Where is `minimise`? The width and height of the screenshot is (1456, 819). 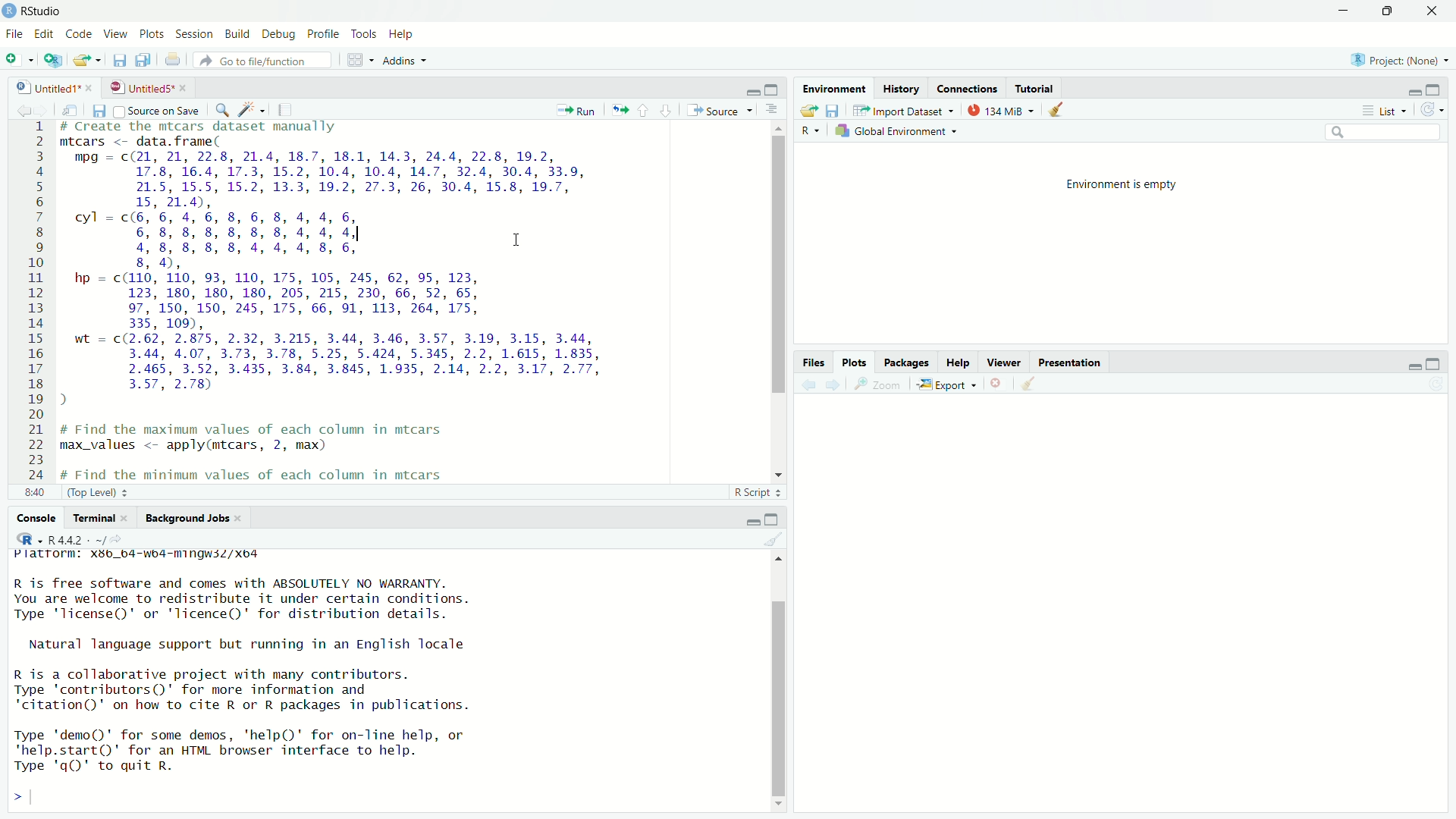 minimise is located at coordinates (744, 519).